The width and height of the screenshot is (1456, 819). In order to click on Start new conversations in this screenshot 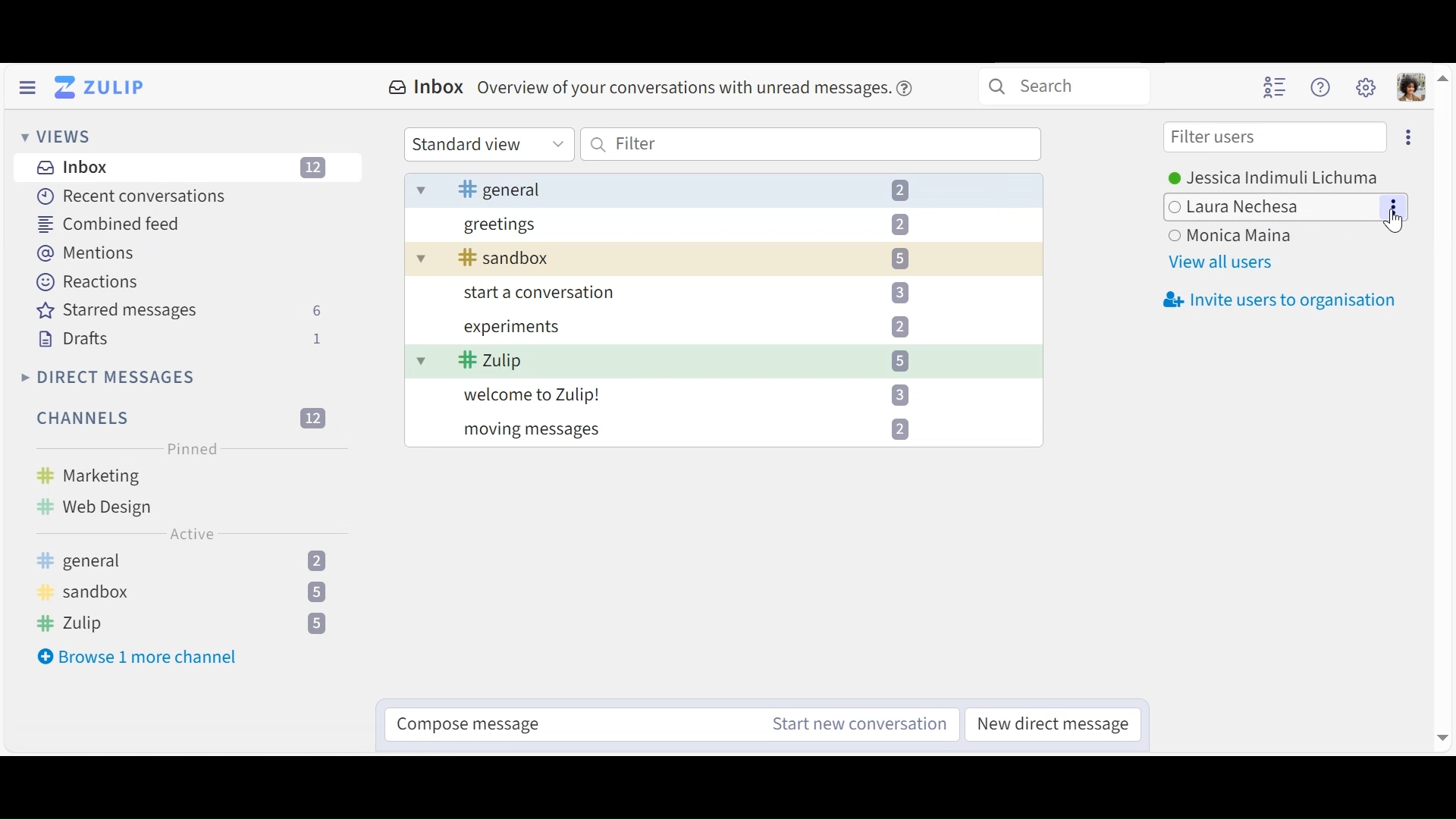, I will do `click(856, 723)`.